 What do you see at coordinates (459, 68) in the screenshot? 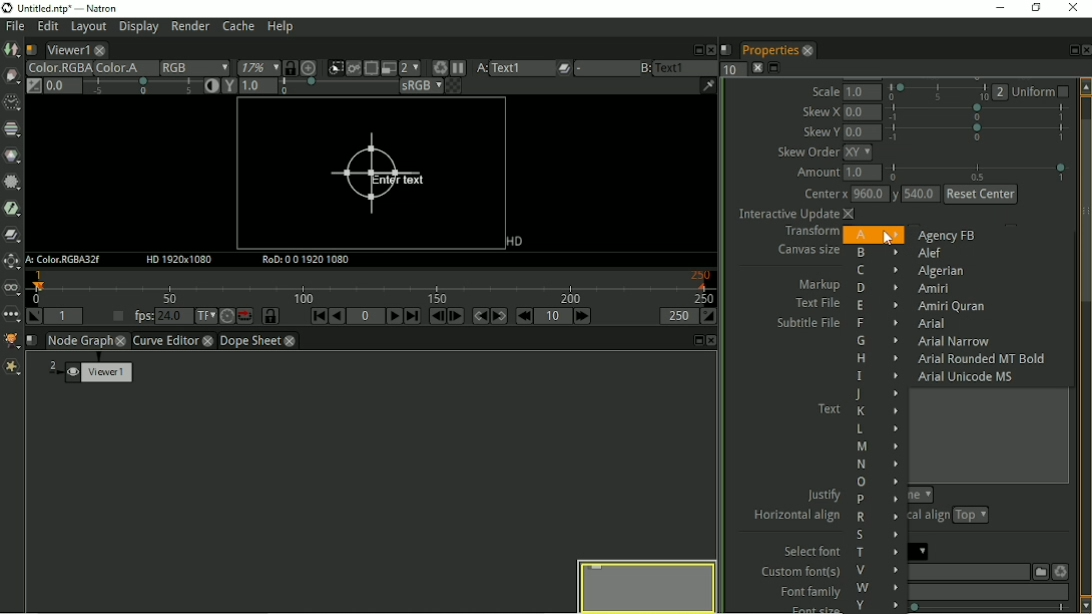
I see `Pause updates` at bounding box center [459, 68].